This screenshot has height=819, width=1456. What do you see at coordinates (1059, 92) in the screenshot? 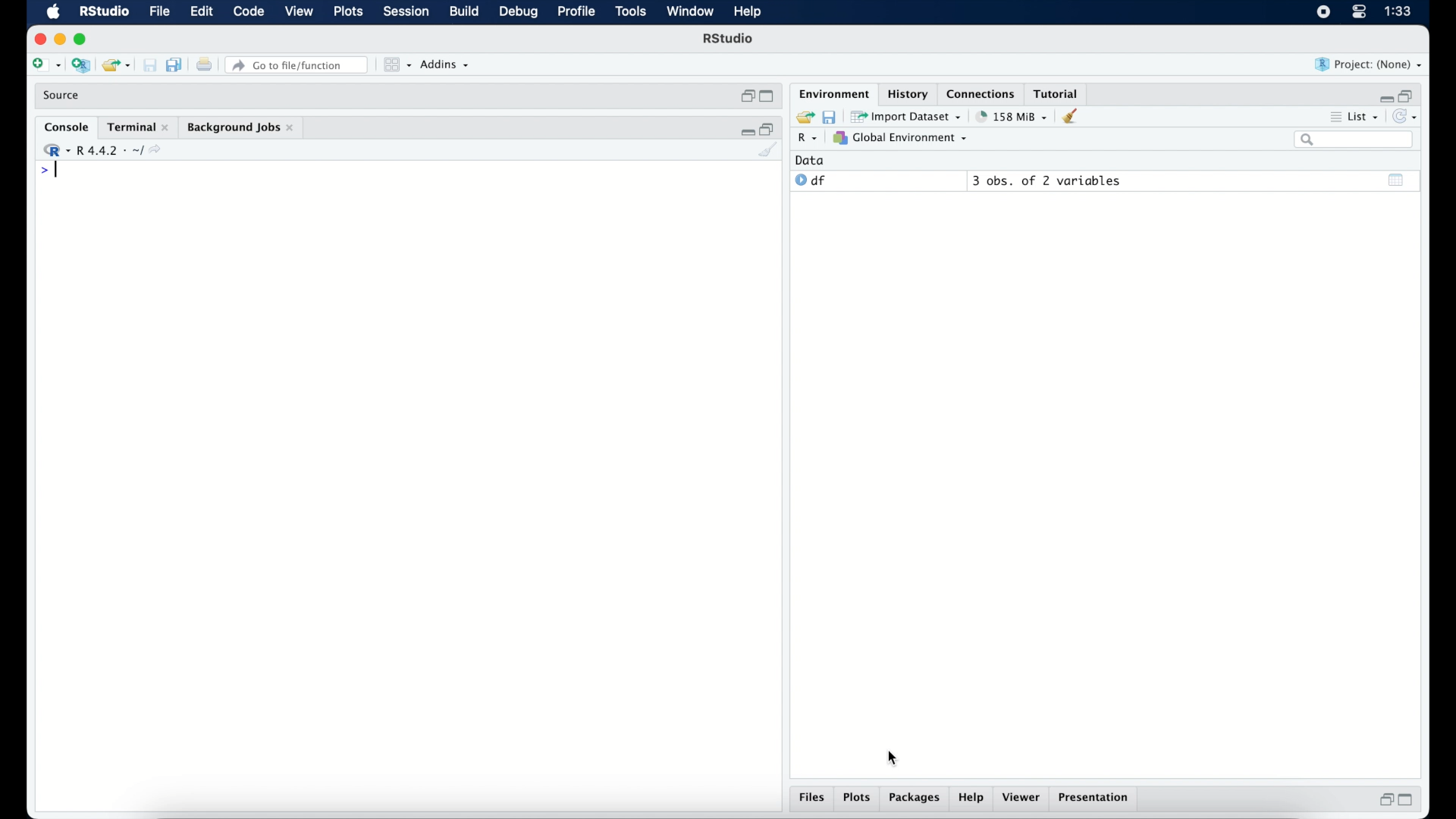
I see `tutorial` at bounding box center [1059, 92].